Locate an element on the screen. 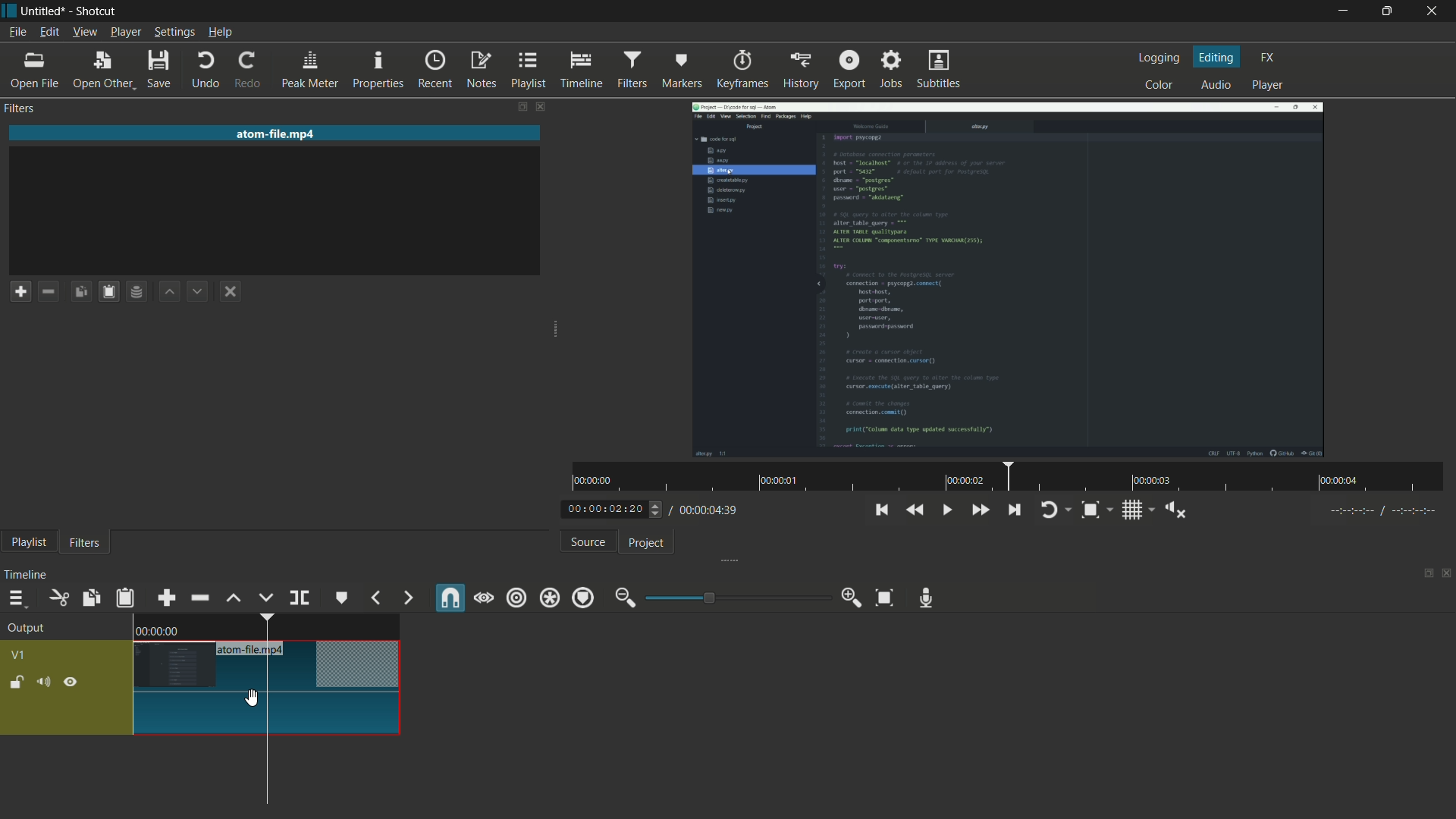  view menu is located at coordinates (86, 33).